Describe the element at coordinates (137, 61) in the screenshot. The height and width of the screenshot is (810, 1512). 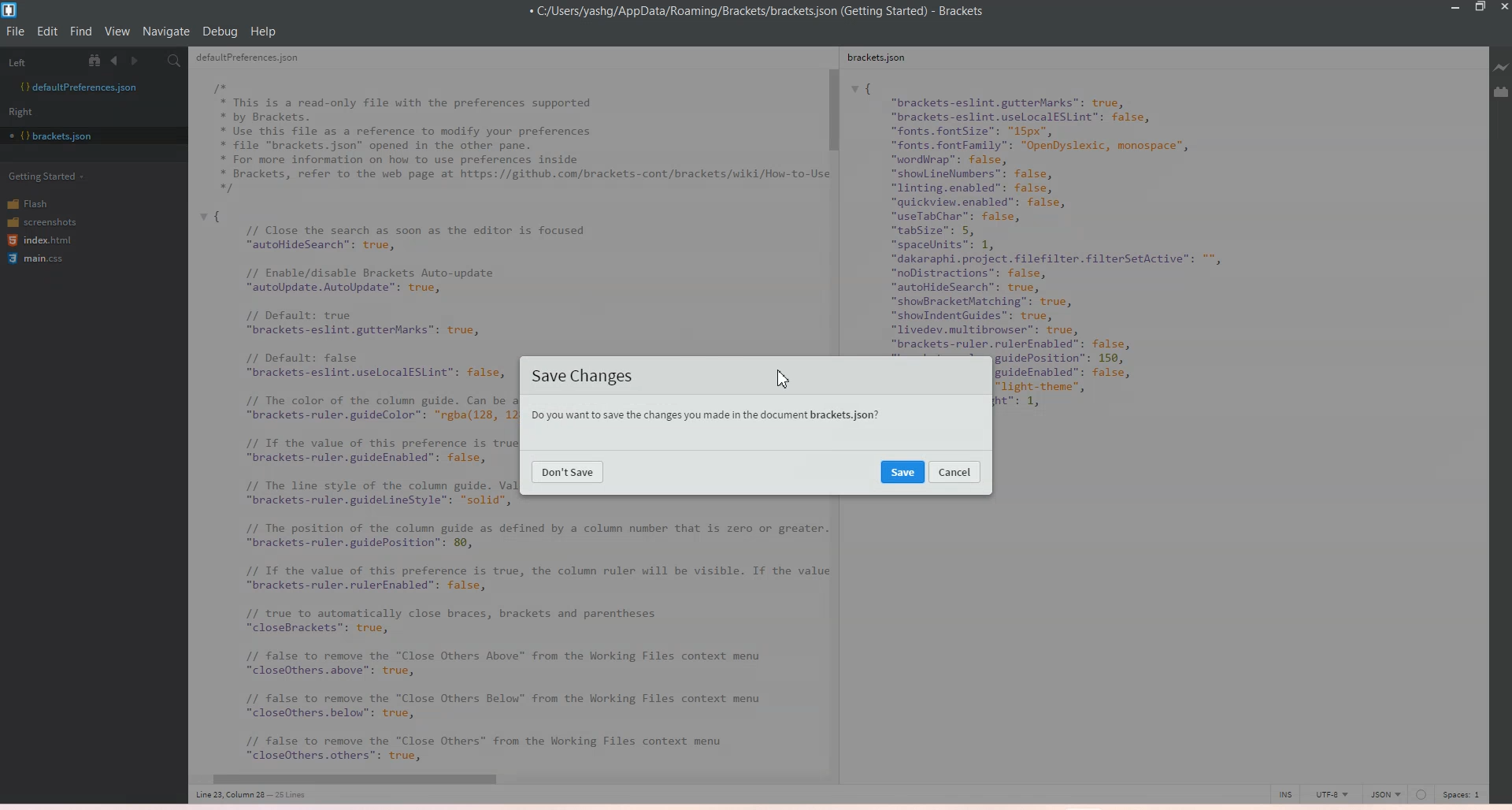
I see `Navigate Forwards` at that location.